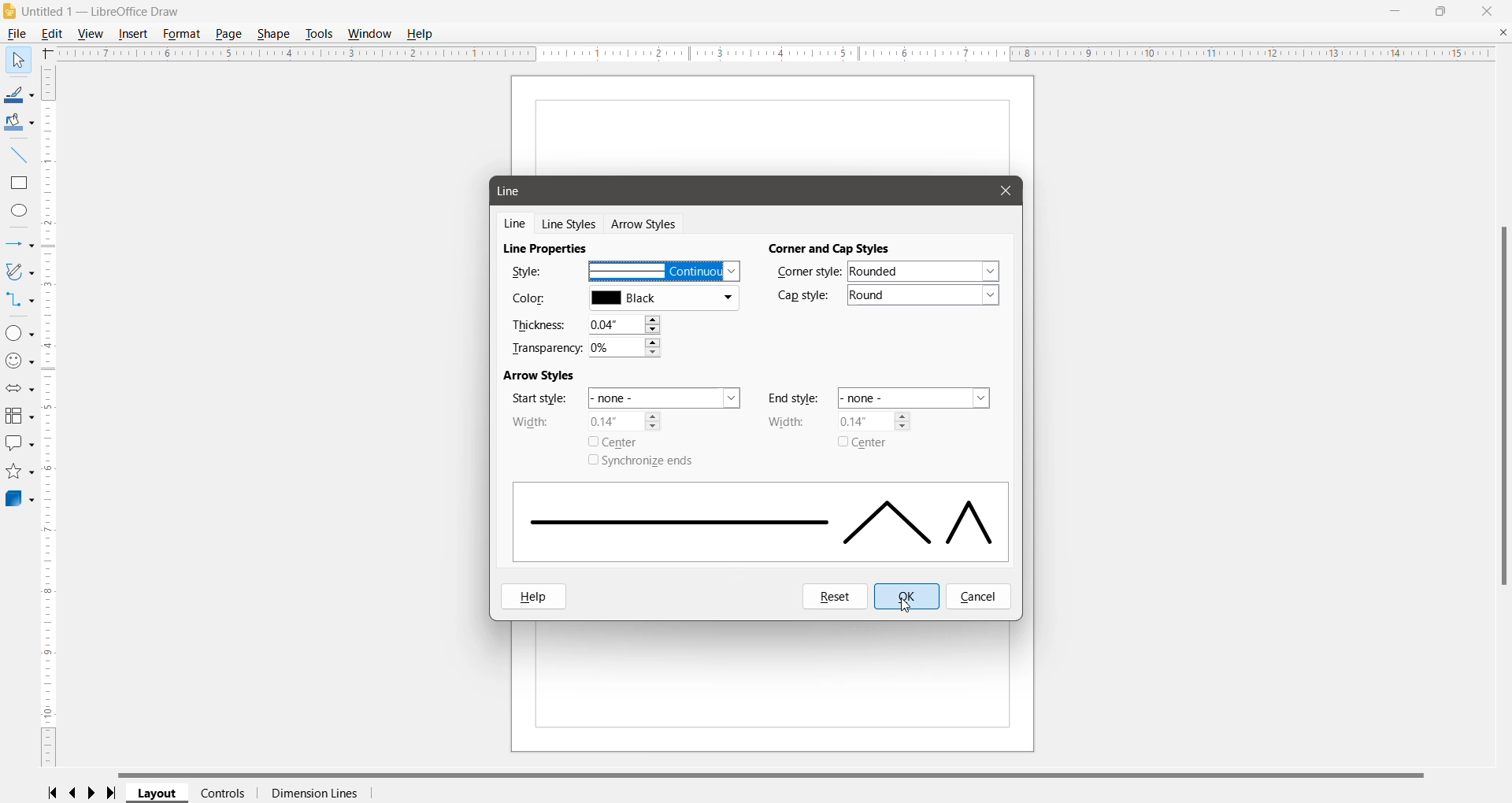  Describe the element at coordinates (19, 183) in the screenshot. I see `Rectangle` at that location.